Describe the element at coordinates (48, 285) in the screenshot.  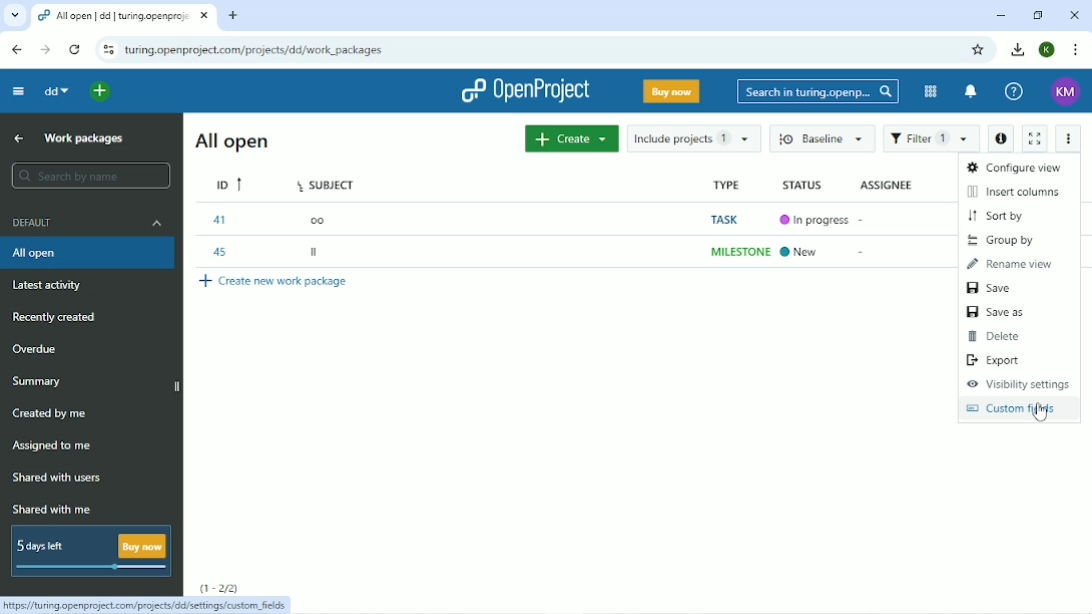
I see `Latest activity` at that location.